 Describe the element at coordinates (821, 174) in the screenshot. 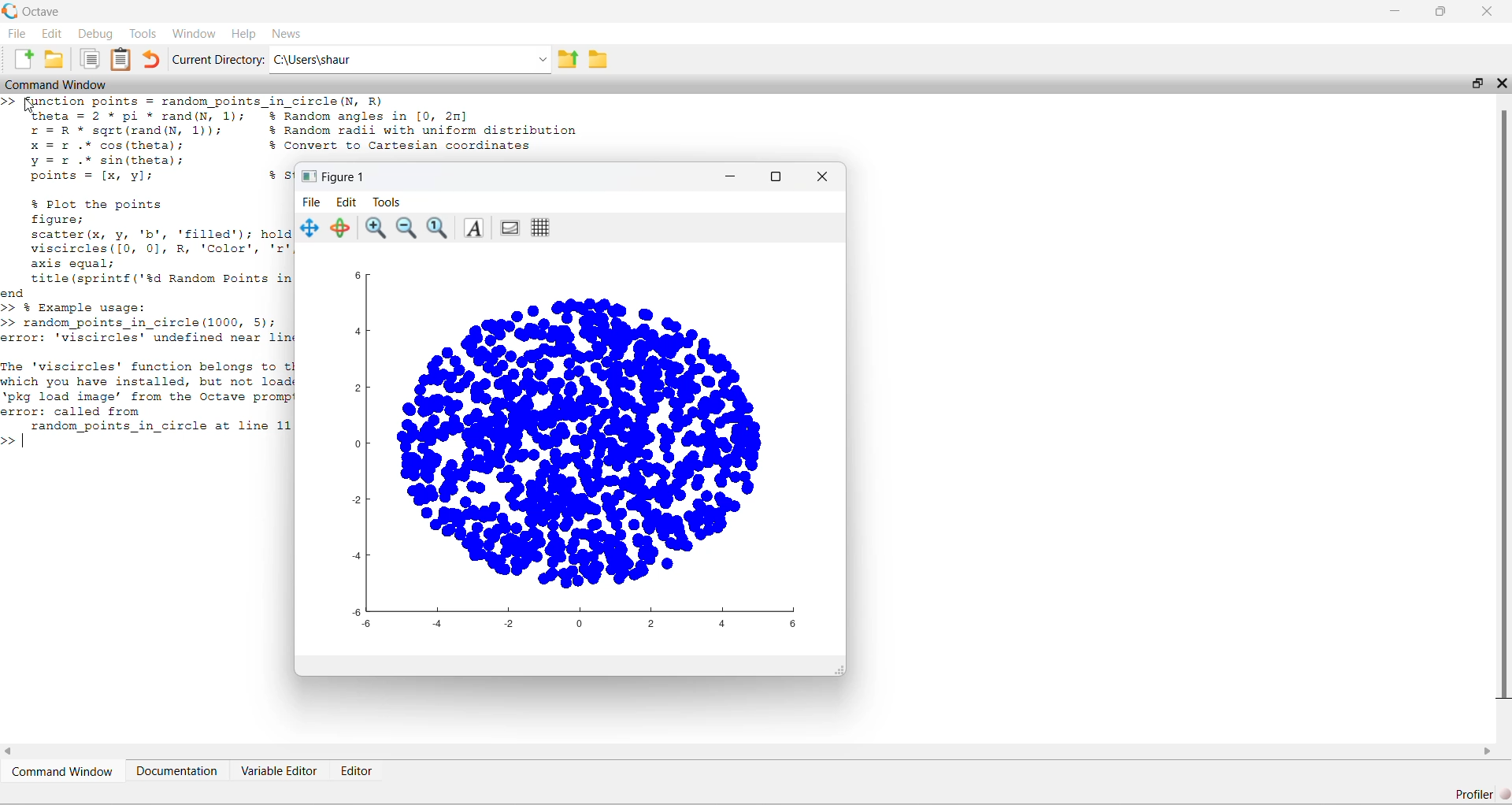

I see `close` at that location.